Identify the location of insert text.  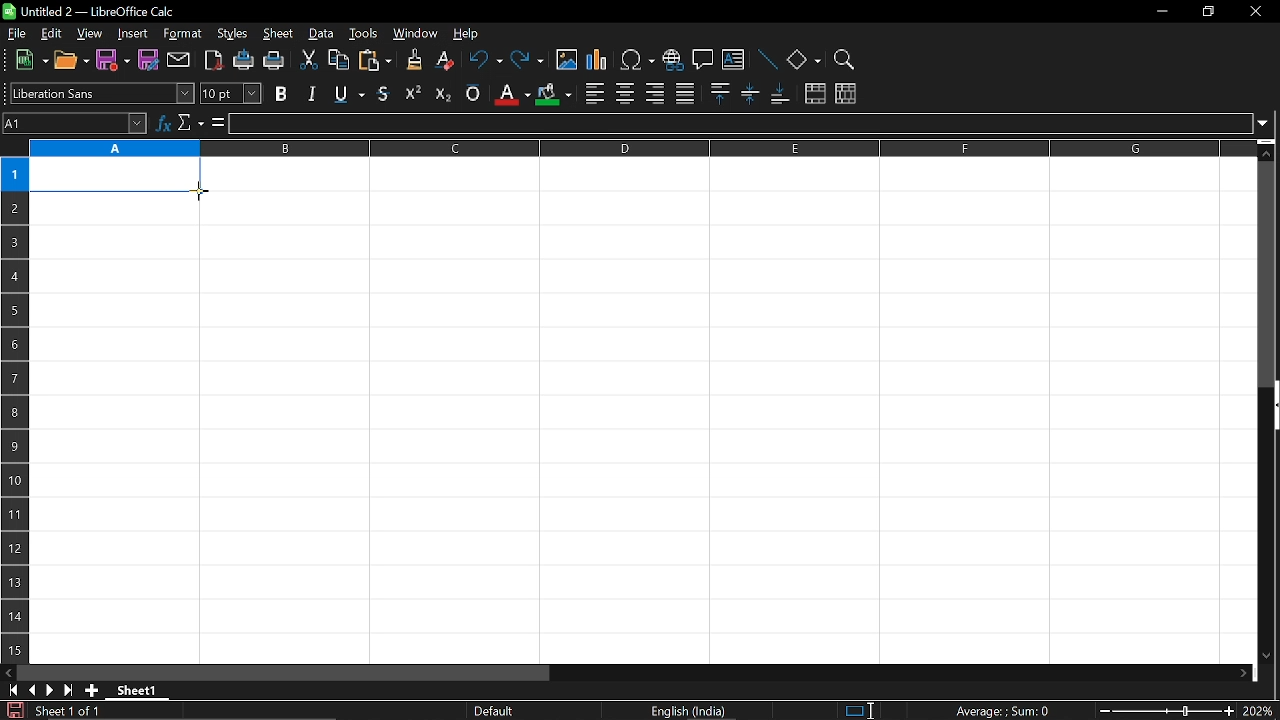
(734, 59).